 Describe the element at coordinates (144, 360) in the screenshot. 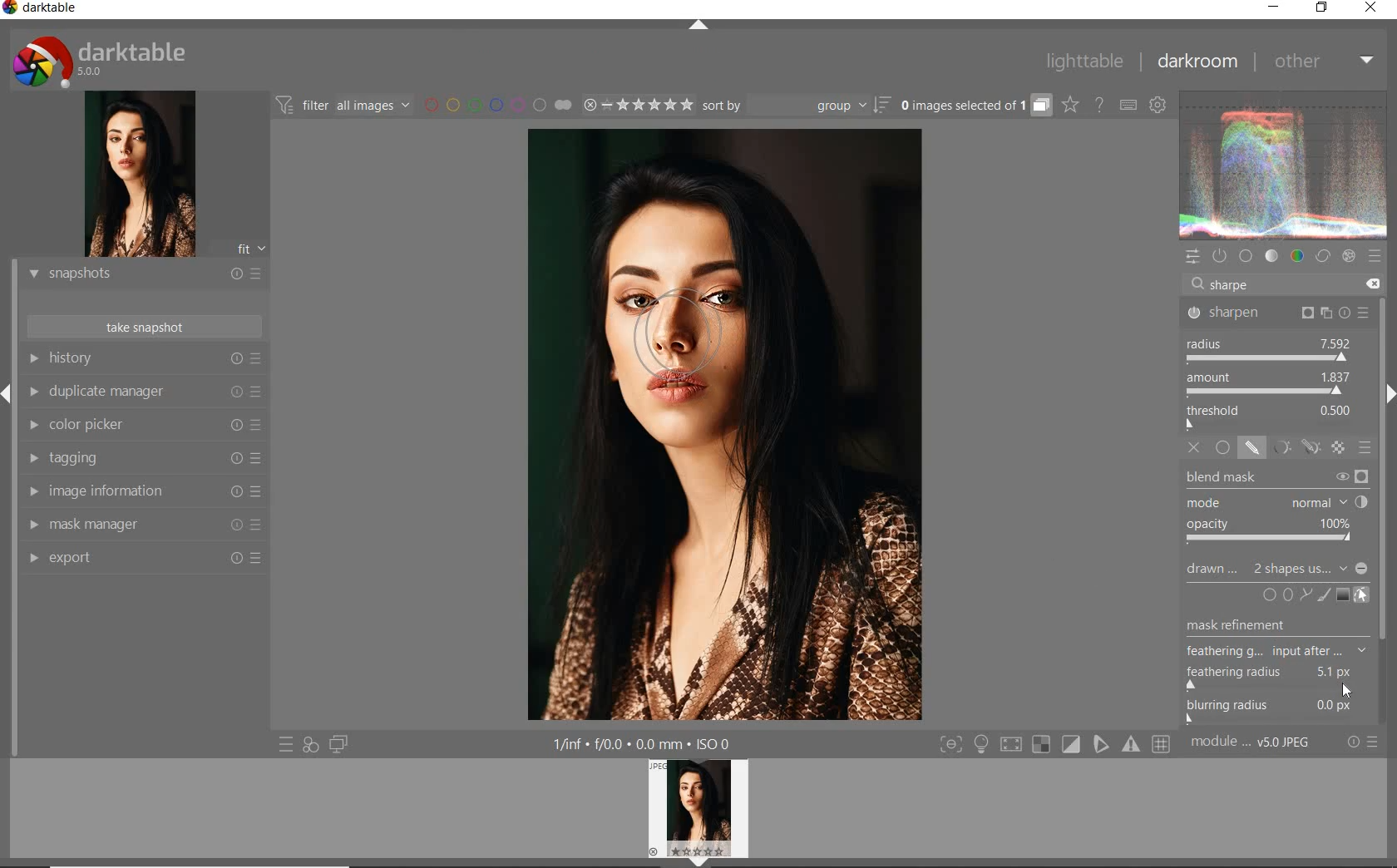

I see `HISTORY` at that location.